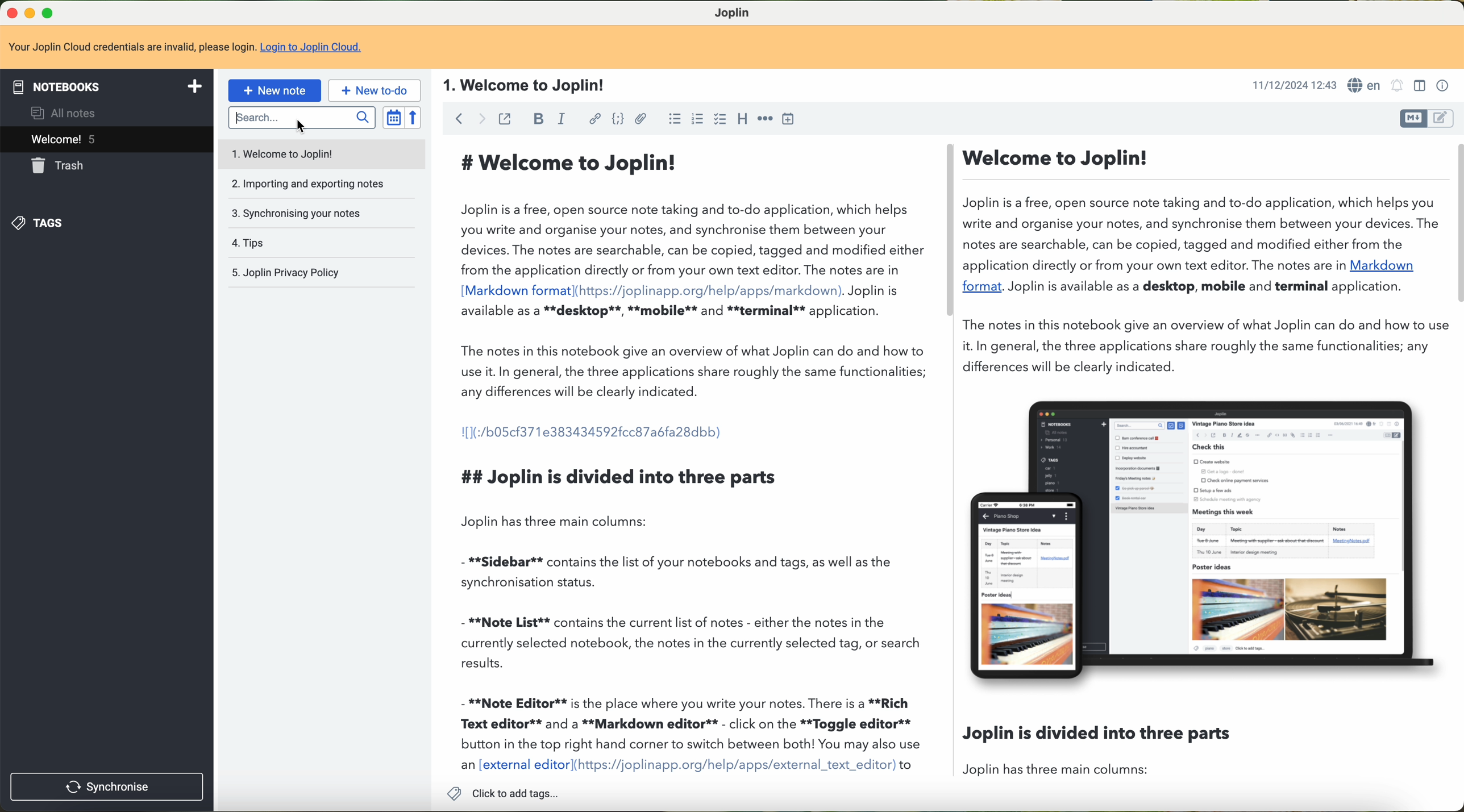 The width and height of the screenshot is (1464, 812). Describe the element at coordinates (1292, 86) in the screenshot. I see `11/12/2024 12:43` at that location.